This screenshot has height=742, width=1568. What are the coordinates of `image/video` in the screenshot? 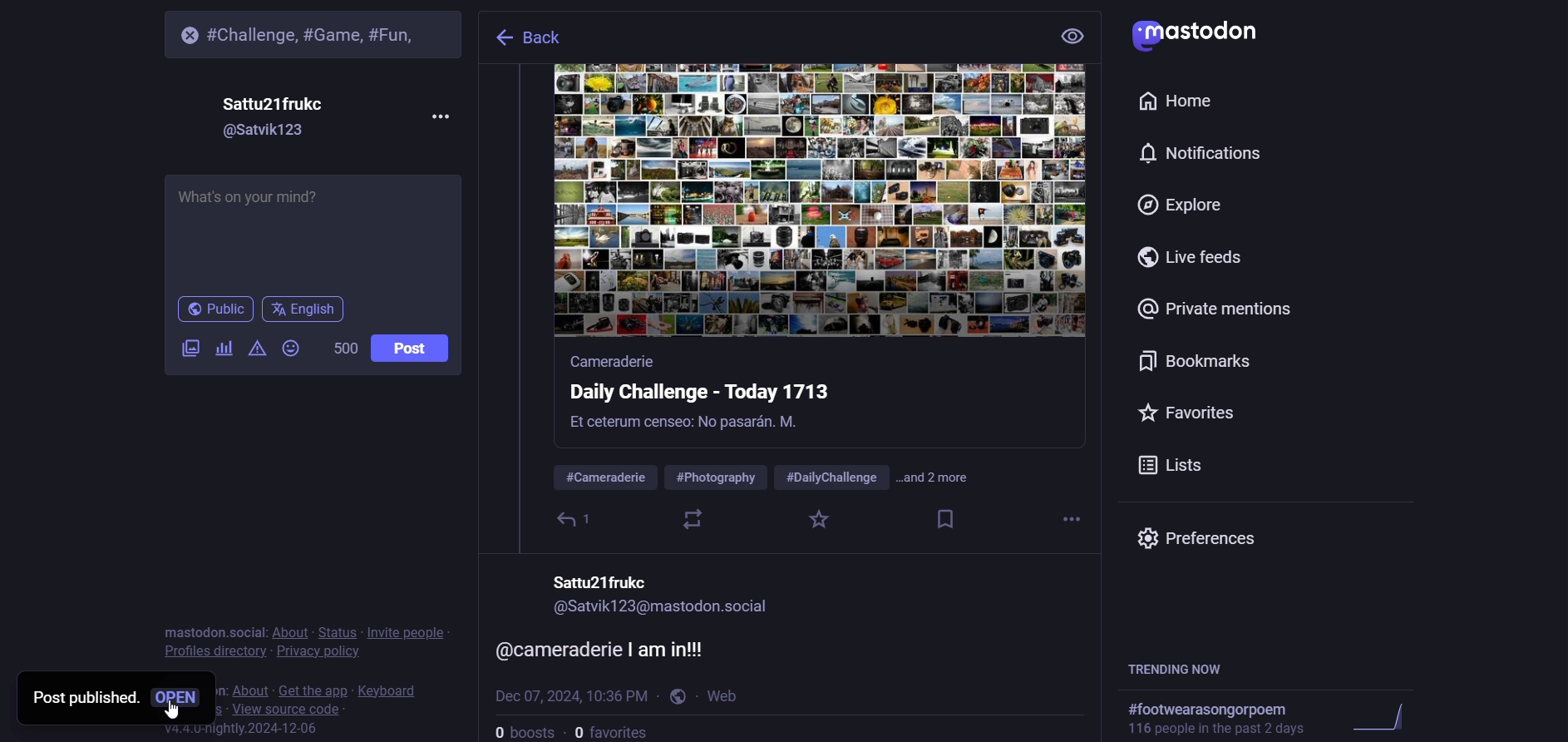 It's located at (182, 349).